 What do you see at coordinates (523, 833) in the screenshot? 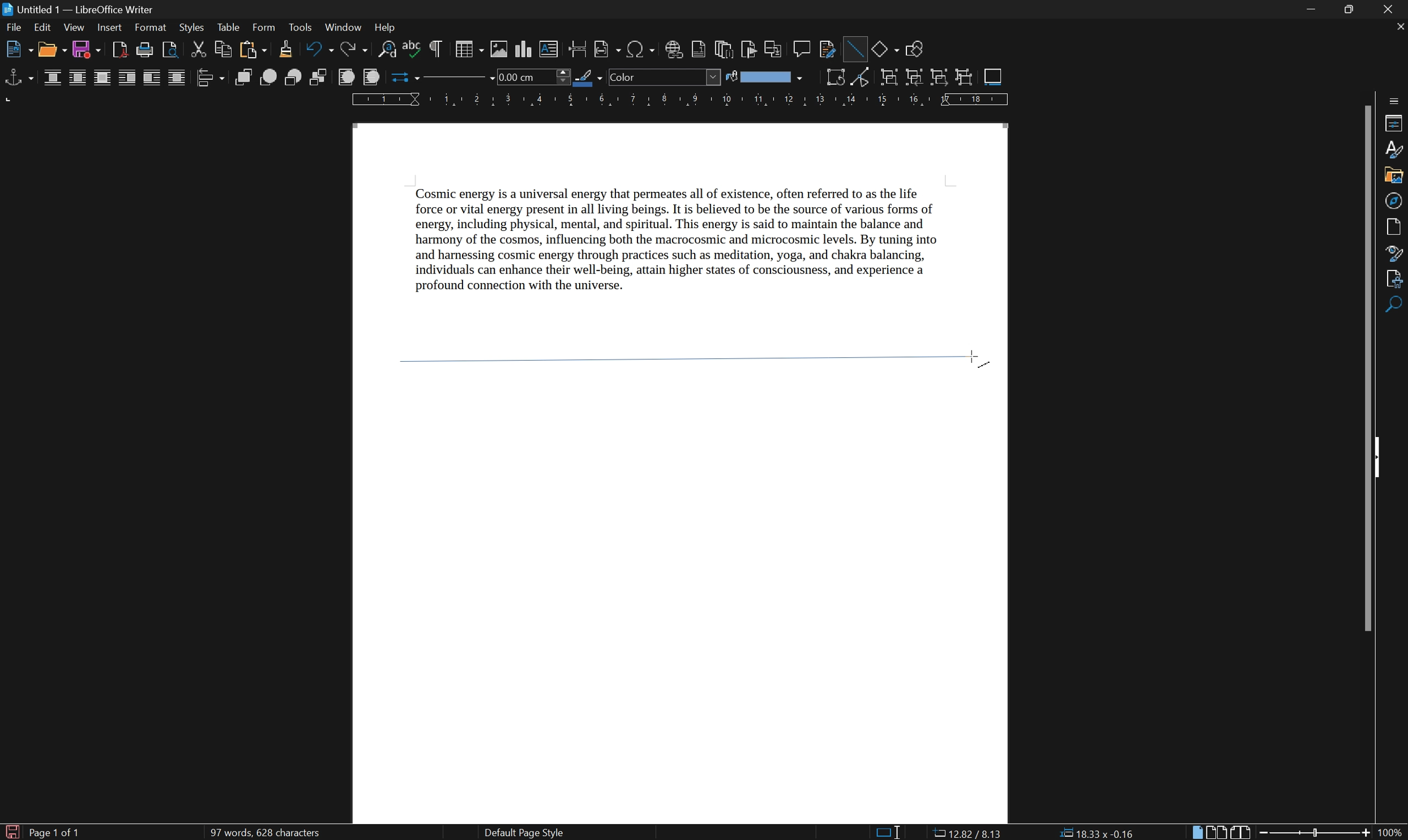
I see `default page style` at bounding box center [523, 833].